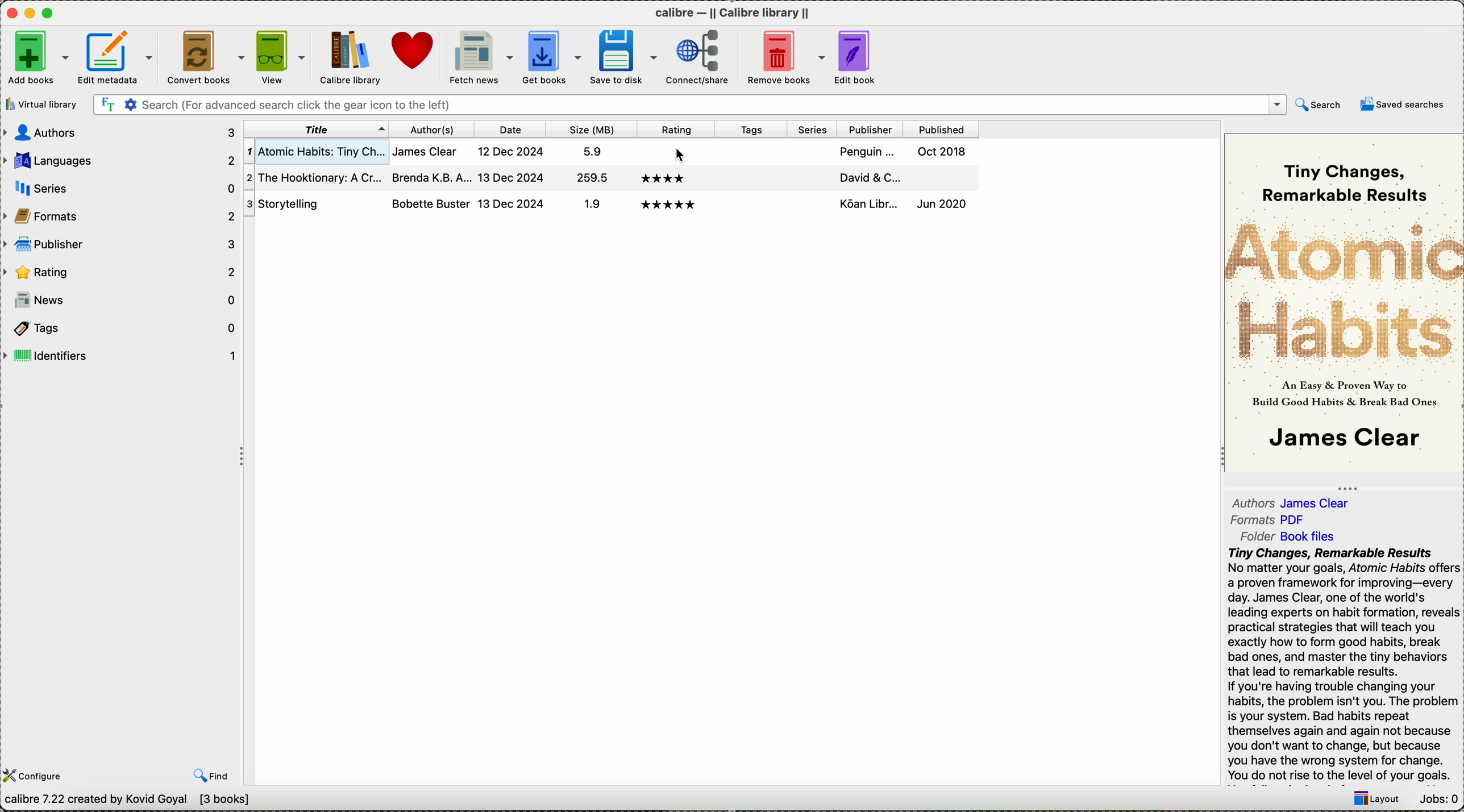  What do you see at coordinates (1342, 440) in the screenshot?
I see `James Clear` at bounding box center [1342, 440].